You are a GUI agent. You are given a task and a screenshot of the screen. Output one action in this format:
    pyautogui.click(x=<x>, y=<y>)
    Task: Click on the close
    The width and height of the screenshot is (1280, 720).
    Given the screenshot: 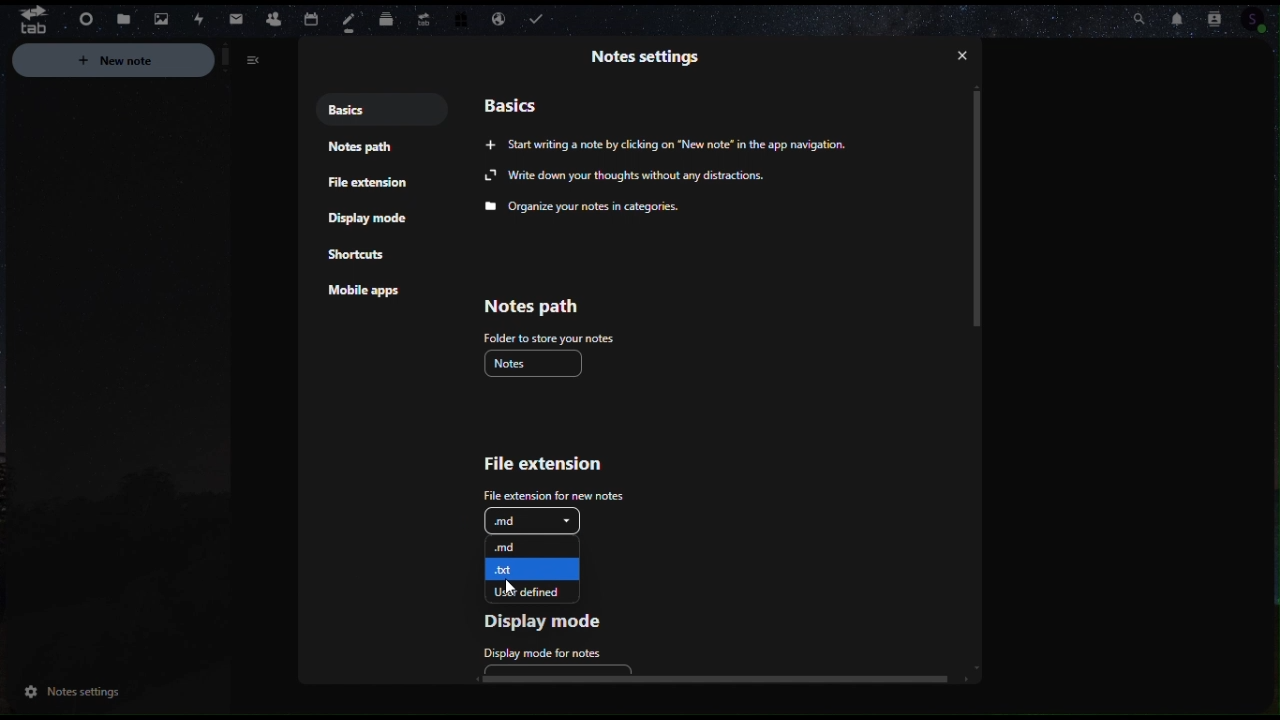 What is the action you would take?
    pyautogui.click(x=966, y=56)
    